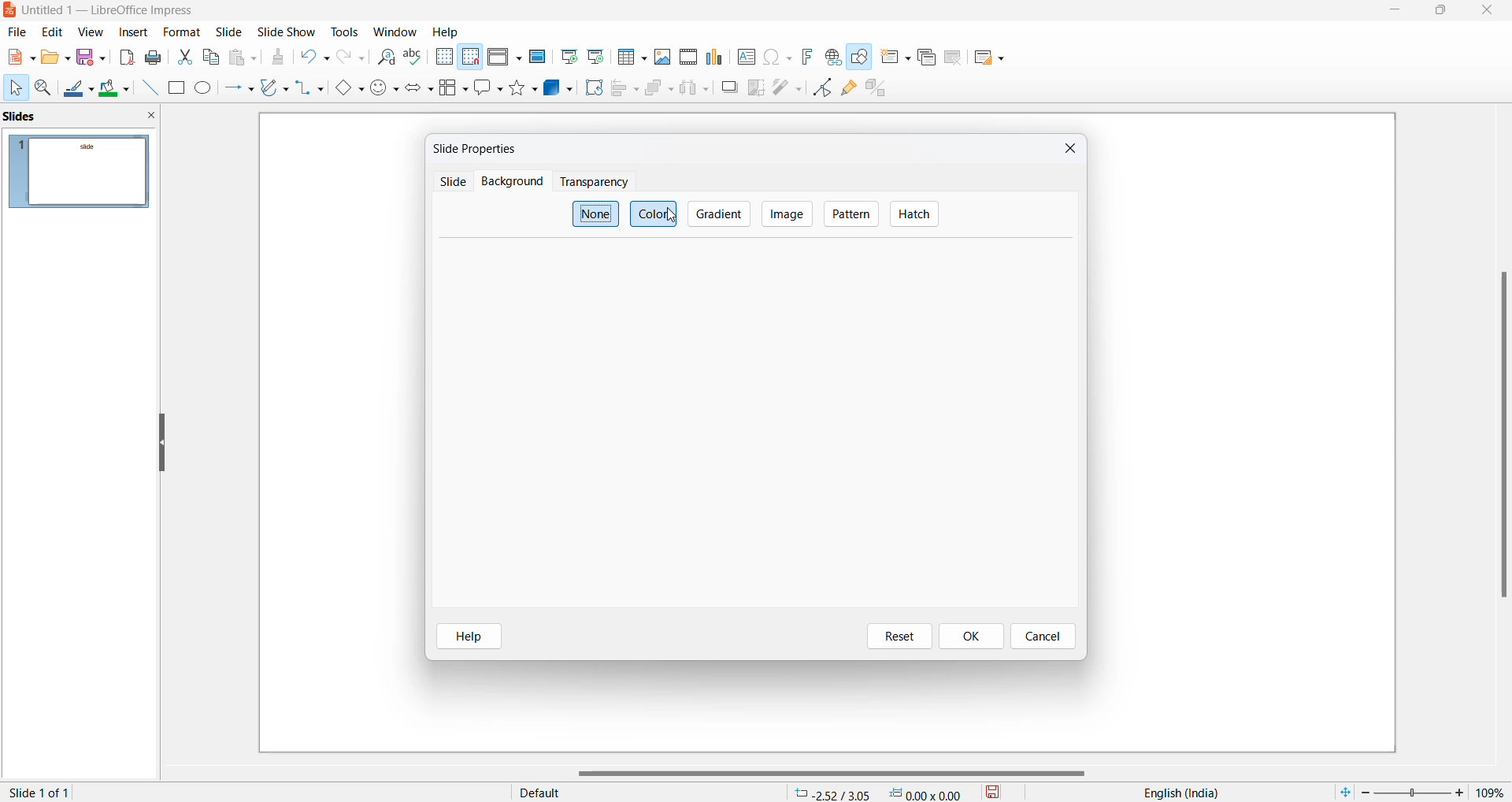 This screenshot has height=802, width=1512. Describe the element at coordinates (988, 61) in the screenshot. I see `slide layout` at that location.